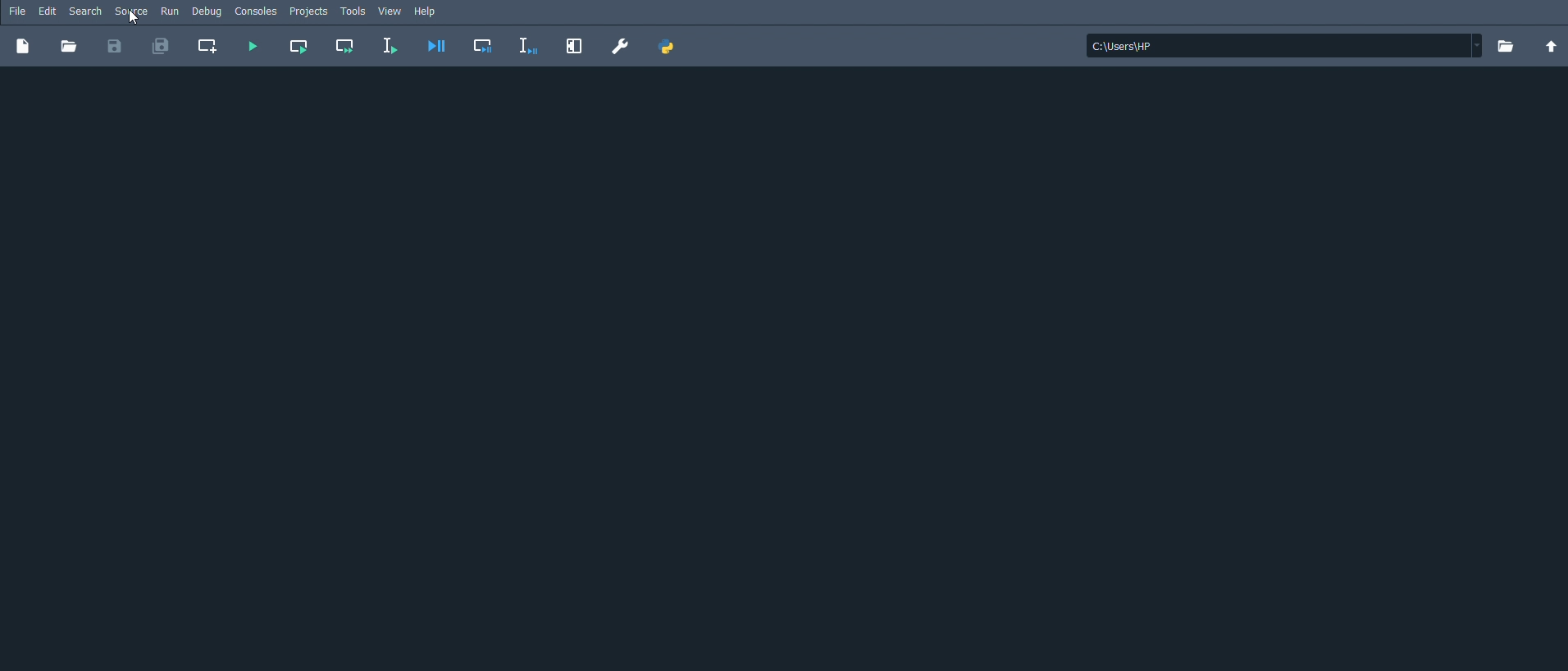  Describe the element at coordinates (485, 46) in the screenshot. I see `Debug cell` at that location.